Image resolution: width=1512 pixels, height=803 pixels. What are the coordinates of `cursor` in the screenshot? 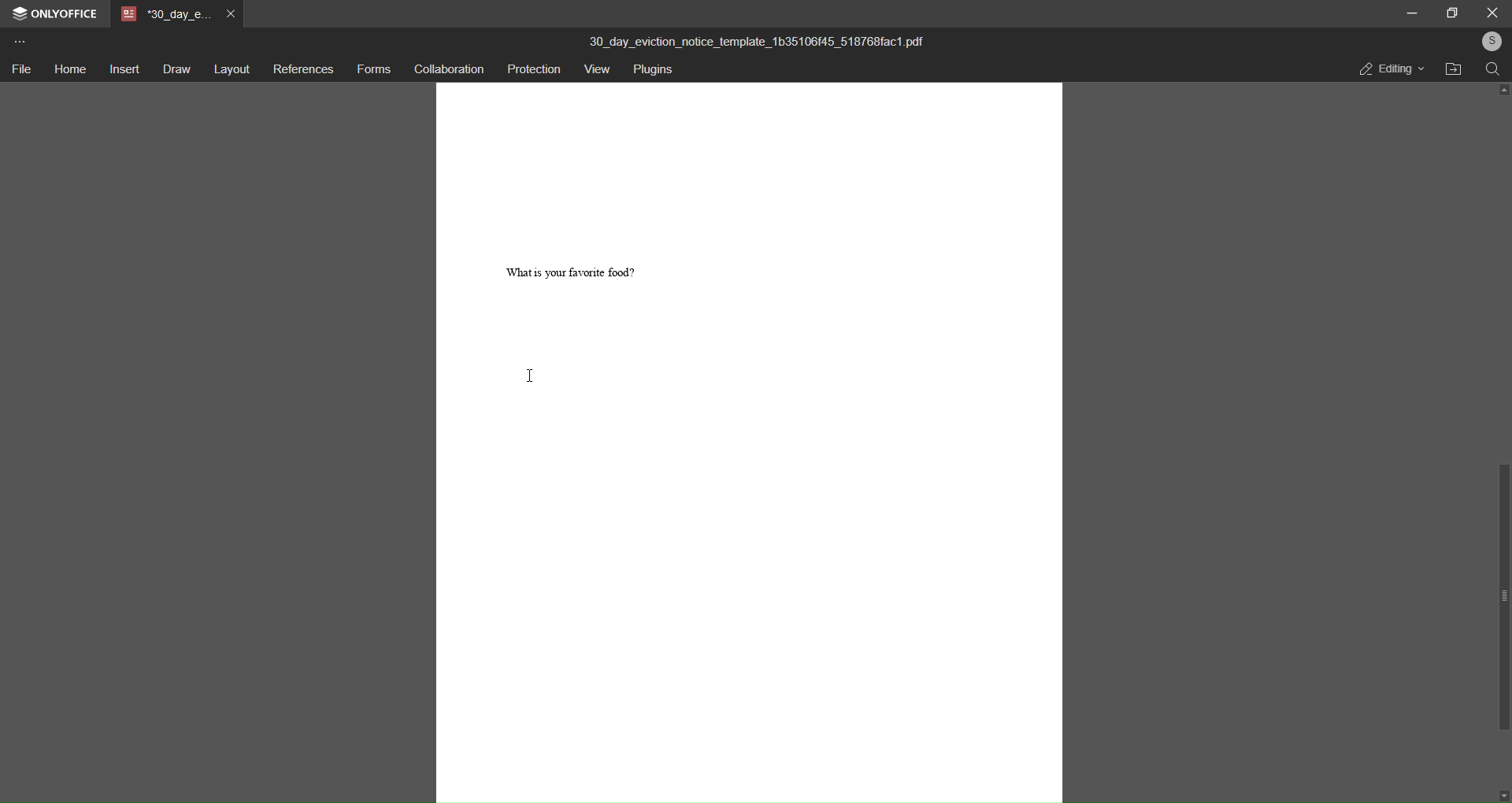 It's located at (533, 377).